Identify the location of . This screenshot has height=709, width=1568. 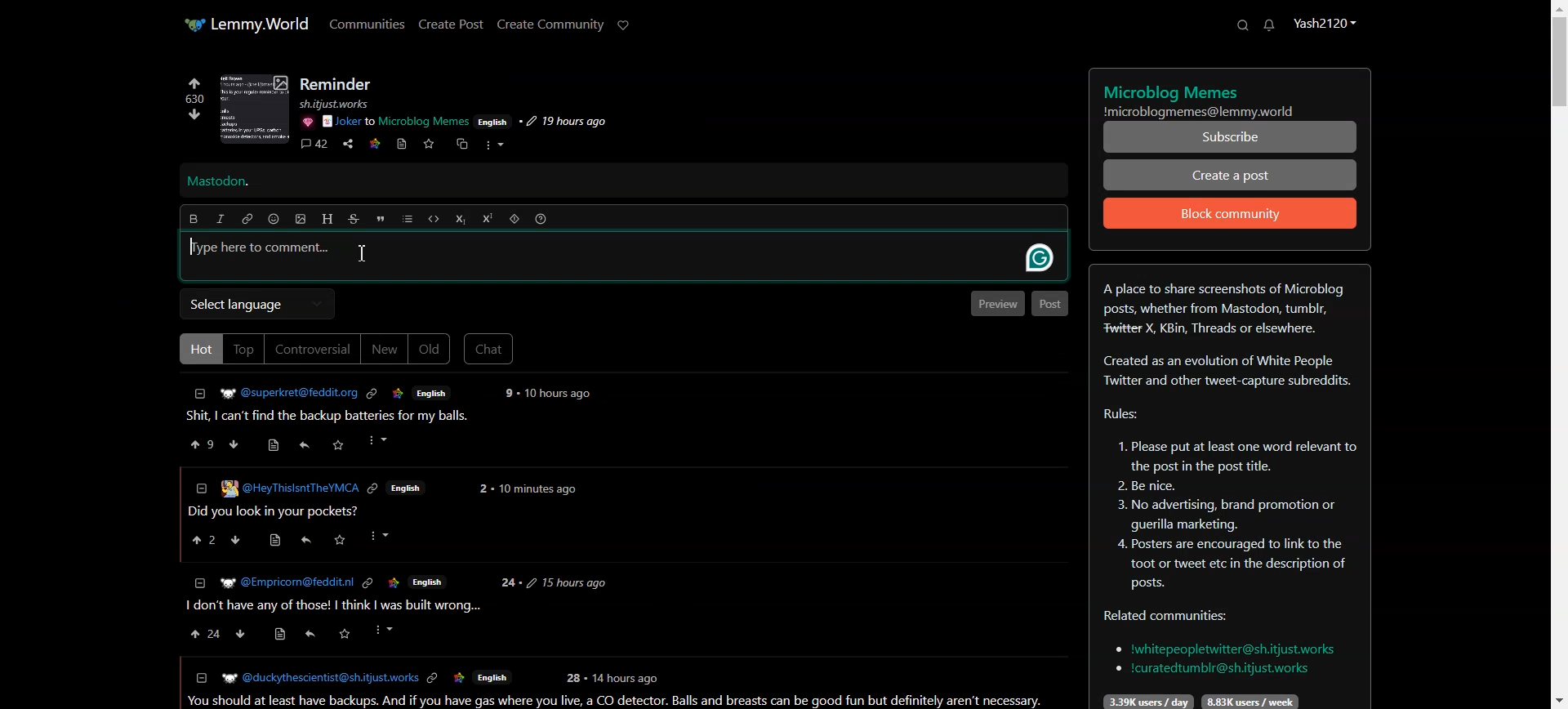
(572, 678).